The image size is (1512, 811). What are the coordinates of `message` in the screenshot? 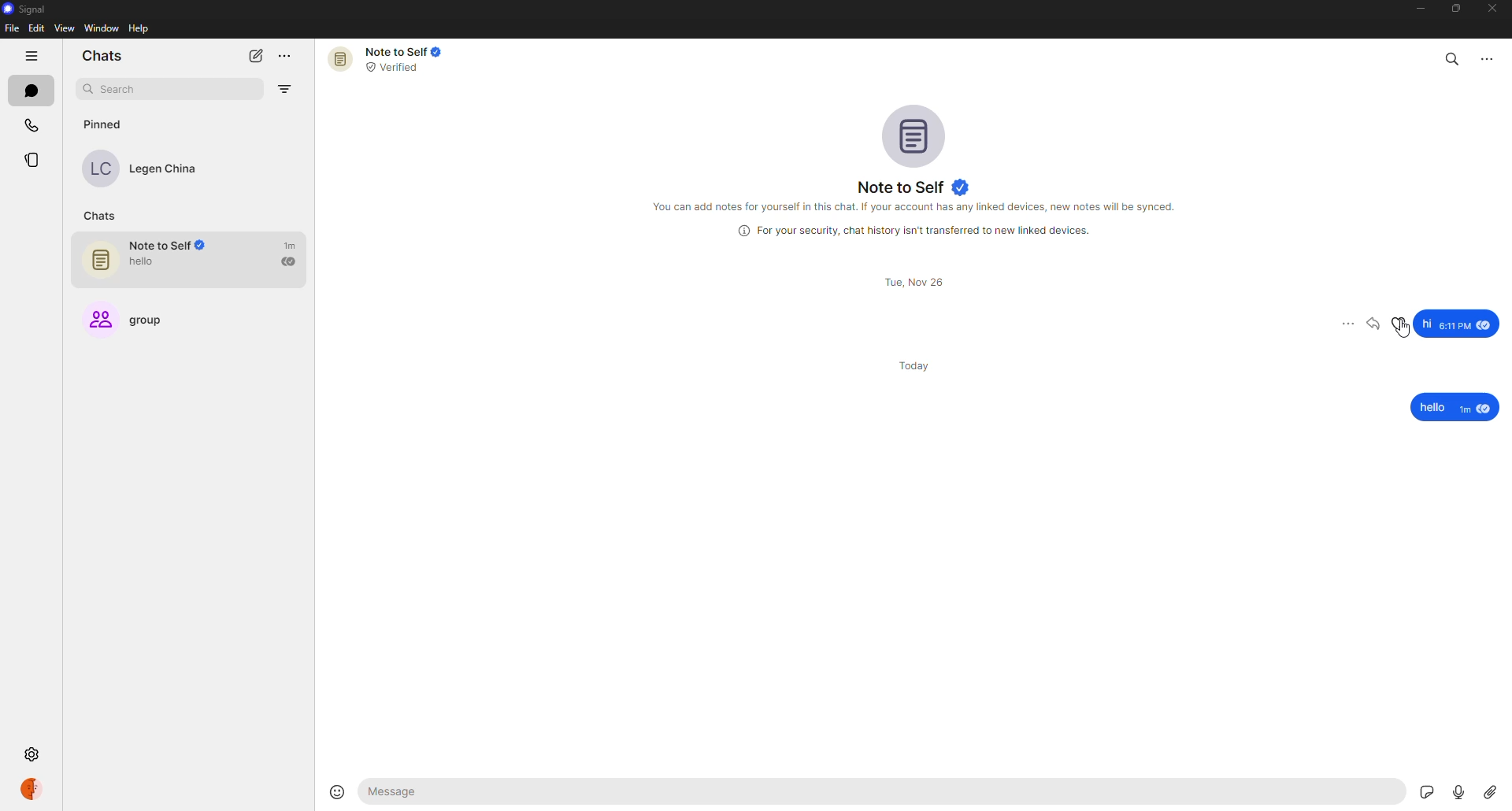 It's located at (1455, 408).